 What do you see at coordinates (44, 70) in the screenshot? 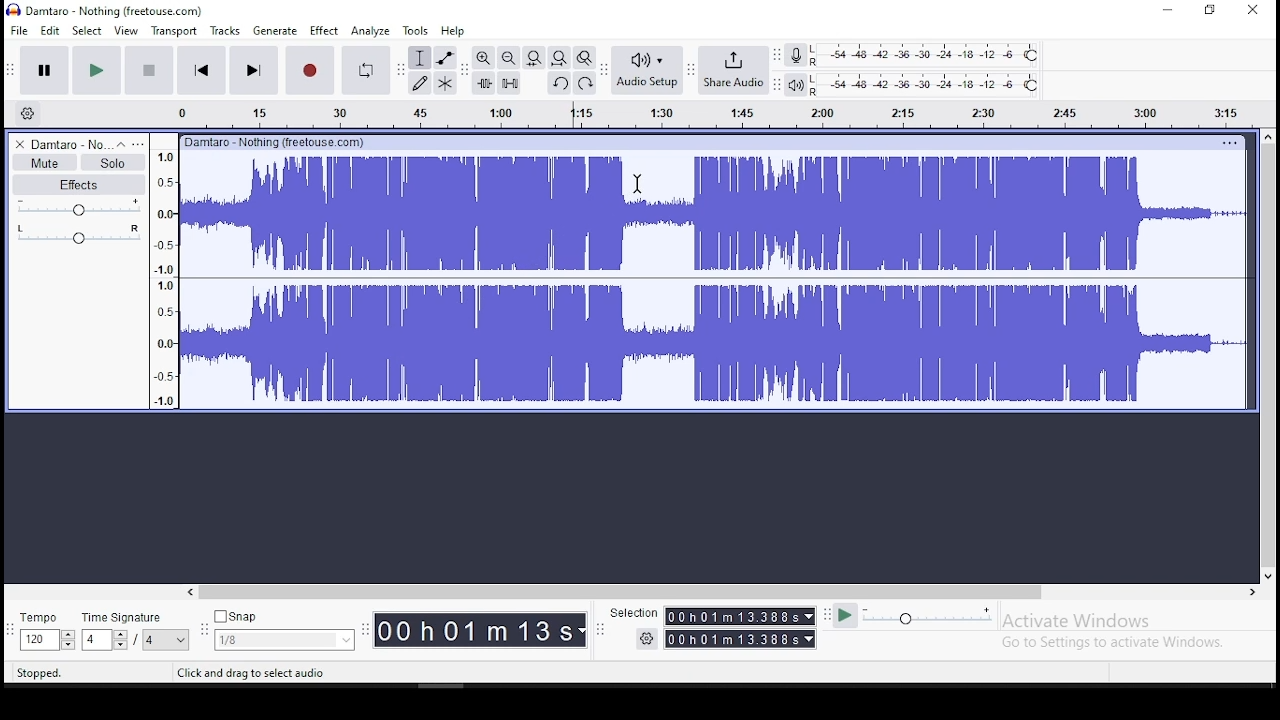
I see `pause` at bounding box center [44, 70].